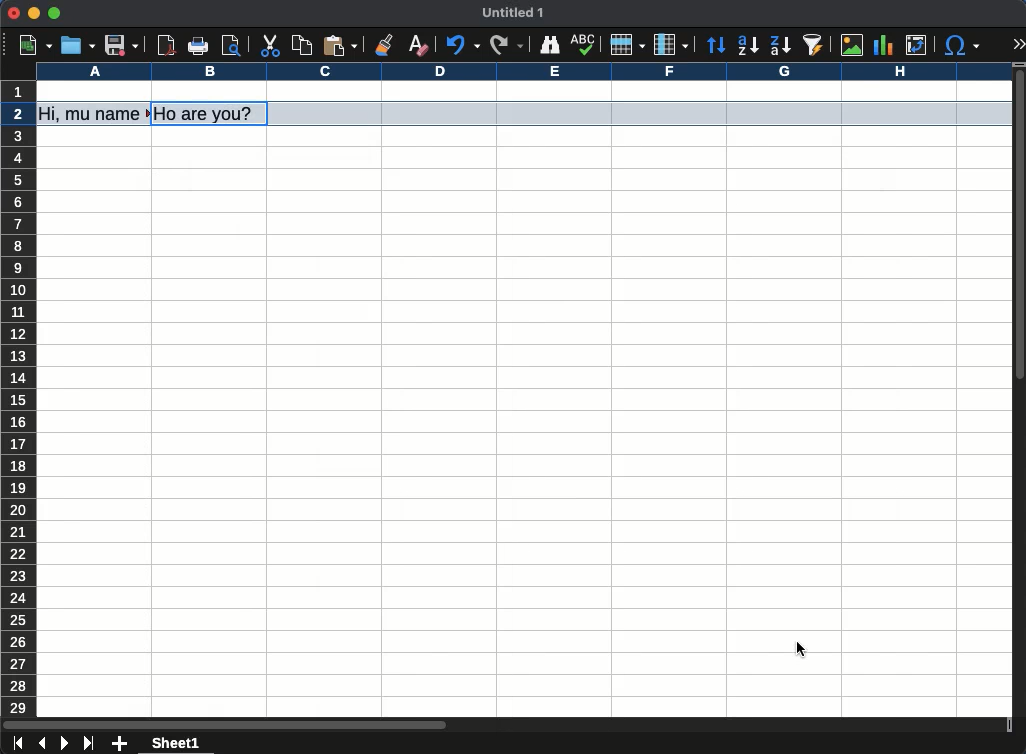  Describe the element at coordinates (20, 743) in the screenshot. I see `first sheet` at that location.